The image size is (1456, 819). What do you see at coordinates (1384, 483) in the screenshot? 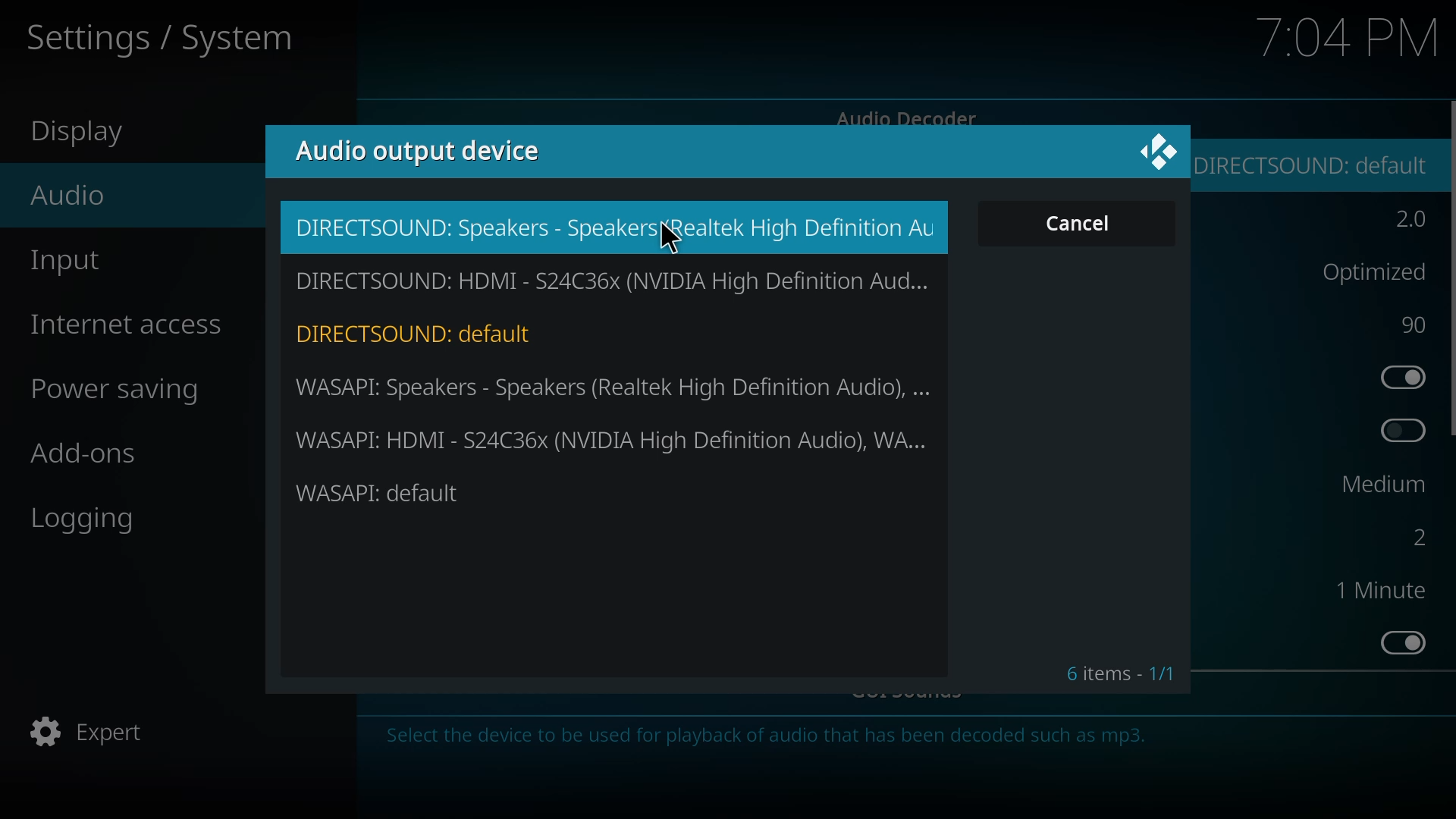
I see `medium` at bounding box center [1384, 483].